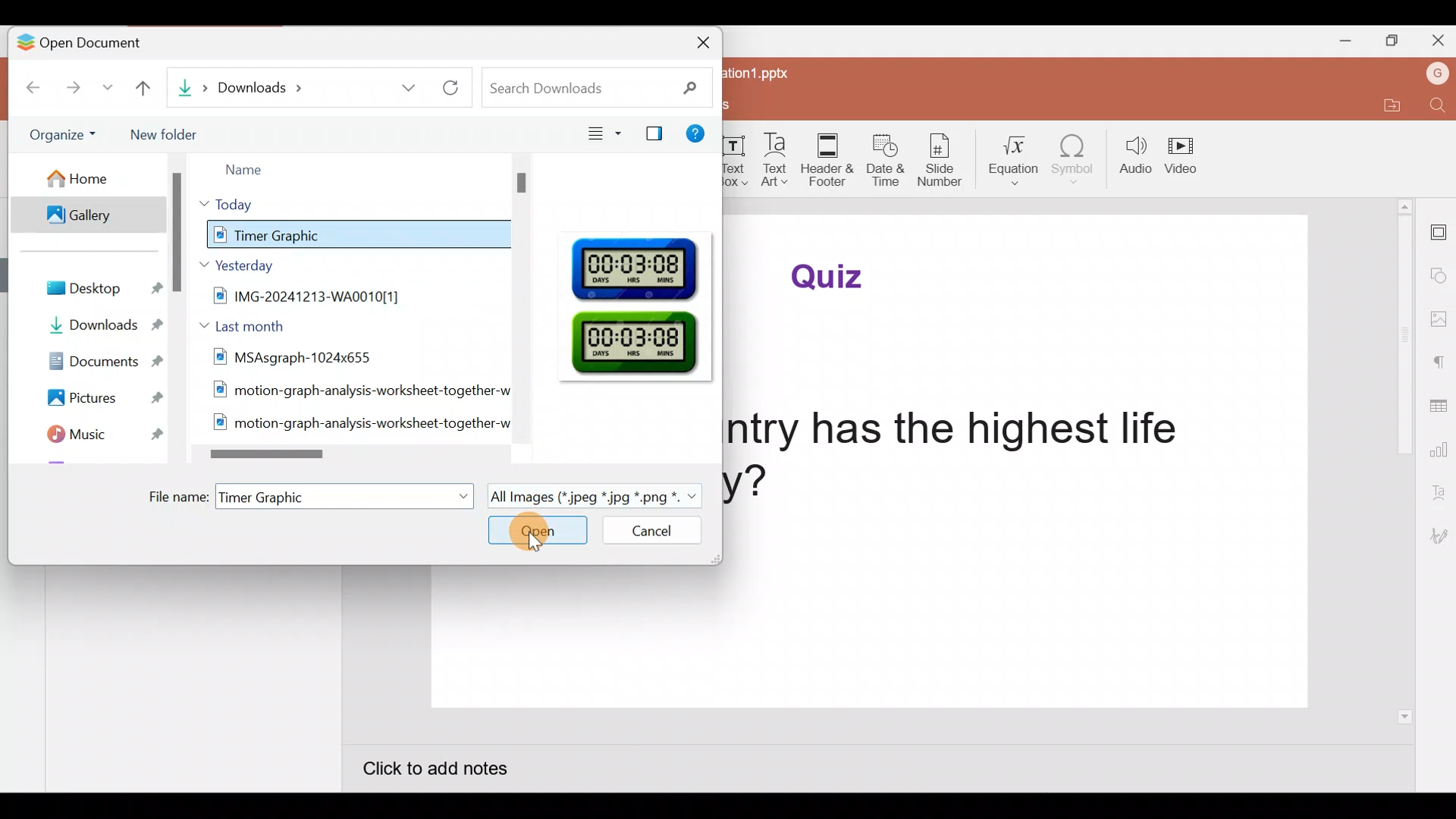  What do you see at coordinates (654, 532) in the screenshot?
I see `Cancel` at bounding box center [654, 532].